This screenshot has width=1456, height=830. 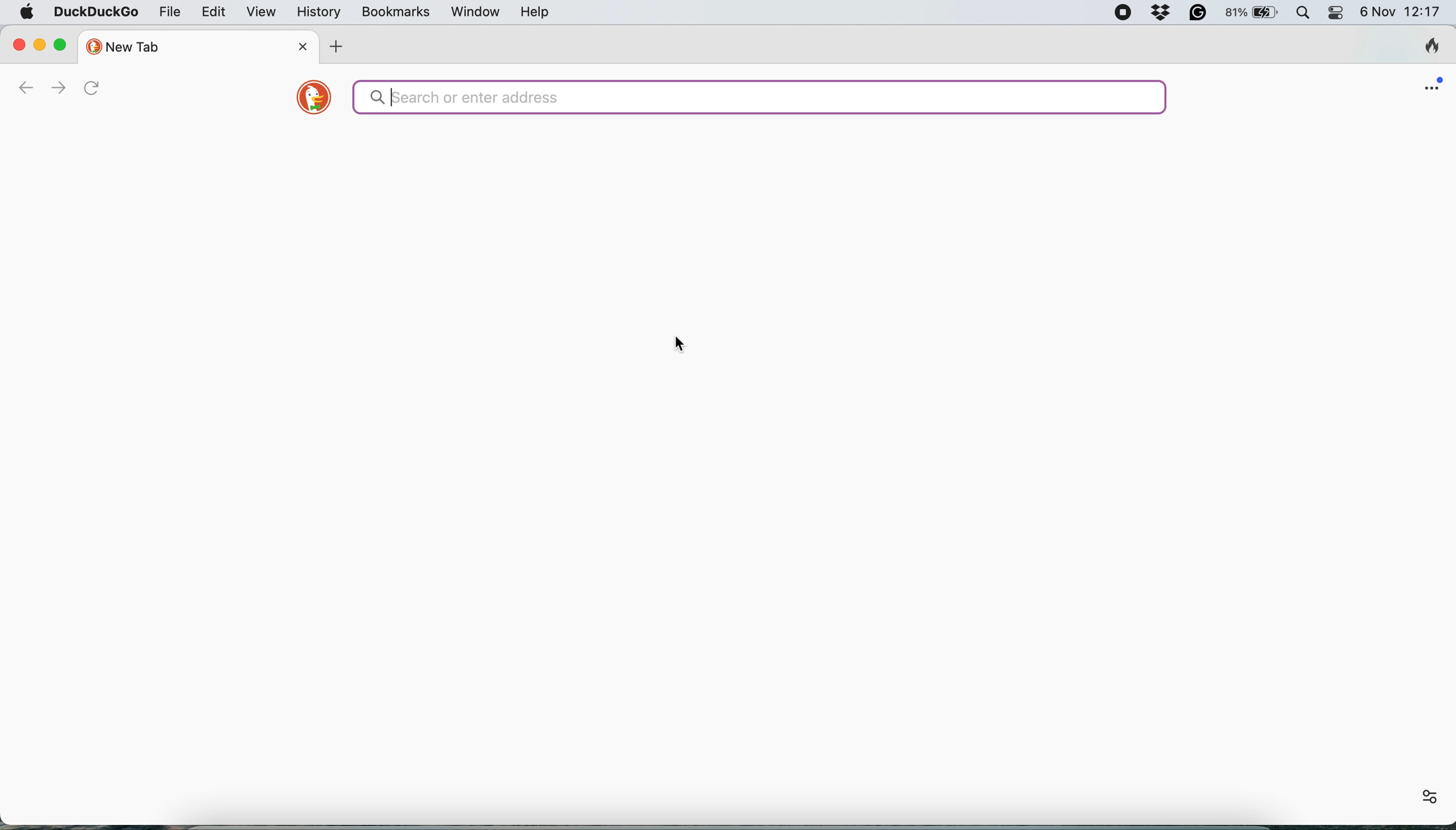 I want to click on spotlight search, so click(x=1304, y=14).